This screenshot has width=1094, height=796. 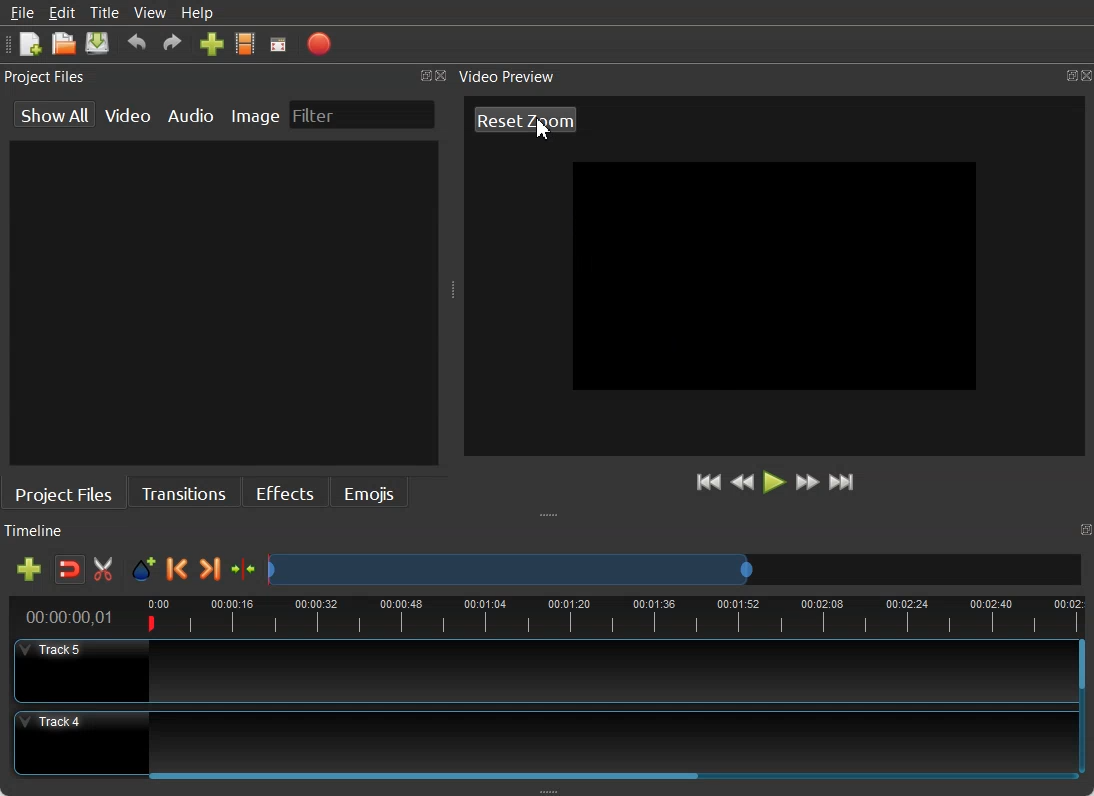 I want to click on Disable Snapping, so click(x=69, y=568).